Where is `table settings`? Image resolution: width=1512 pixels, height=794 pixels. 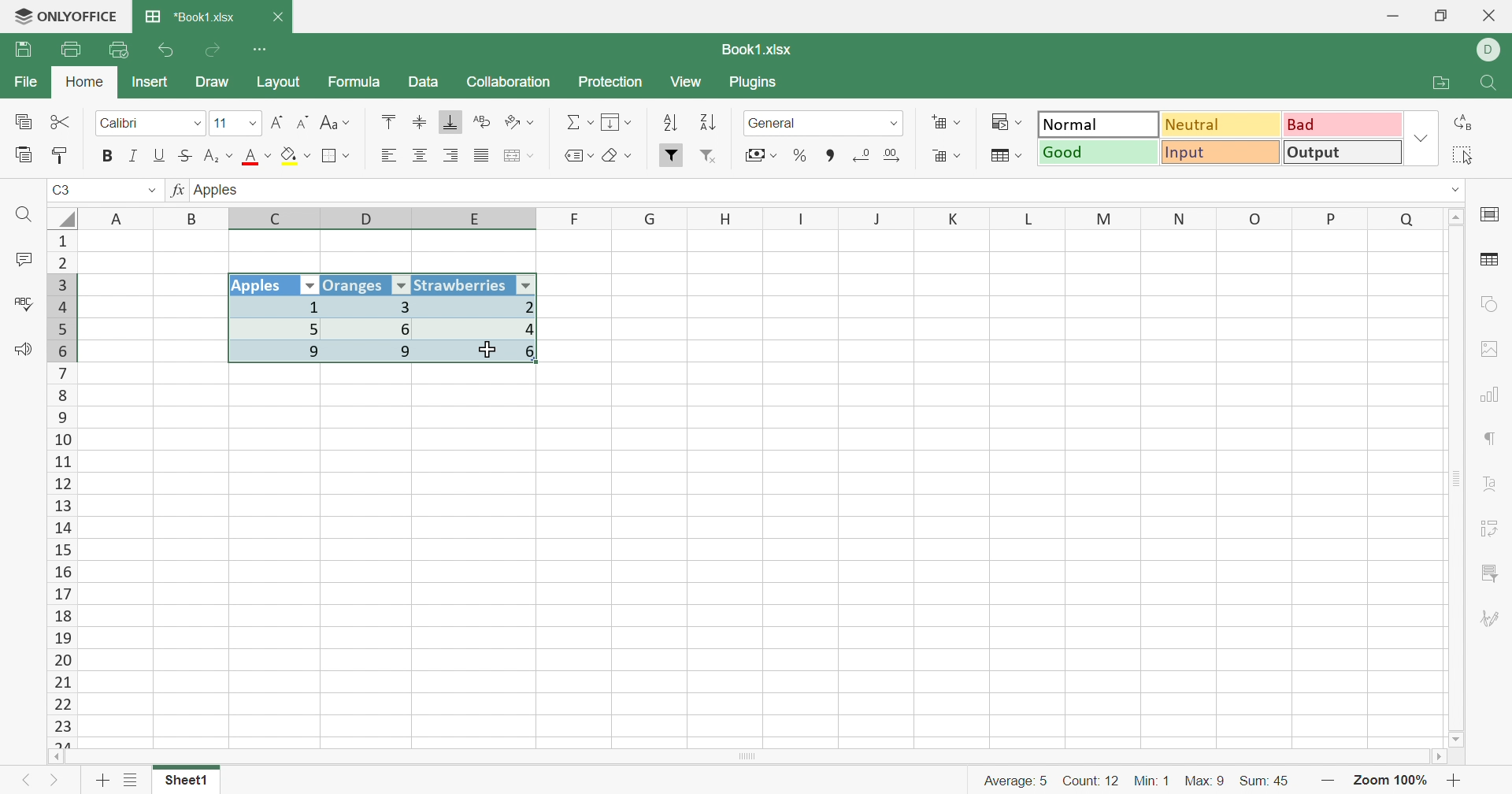
table settings is located at coordinates (1492, 262).